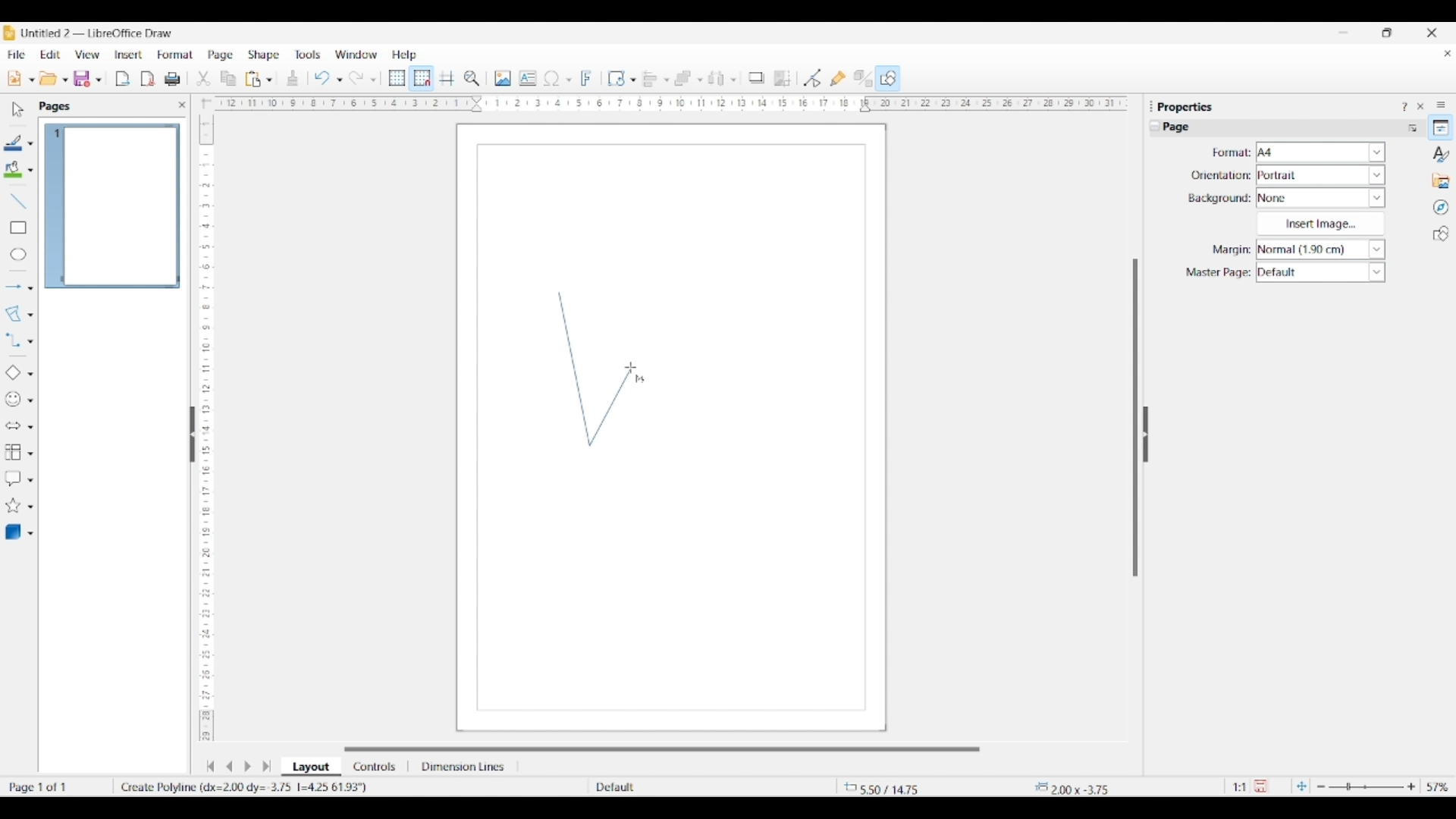 The height and width of the screenshot is (819, 1456). I want to click on Selected connector, so click(12, 339).